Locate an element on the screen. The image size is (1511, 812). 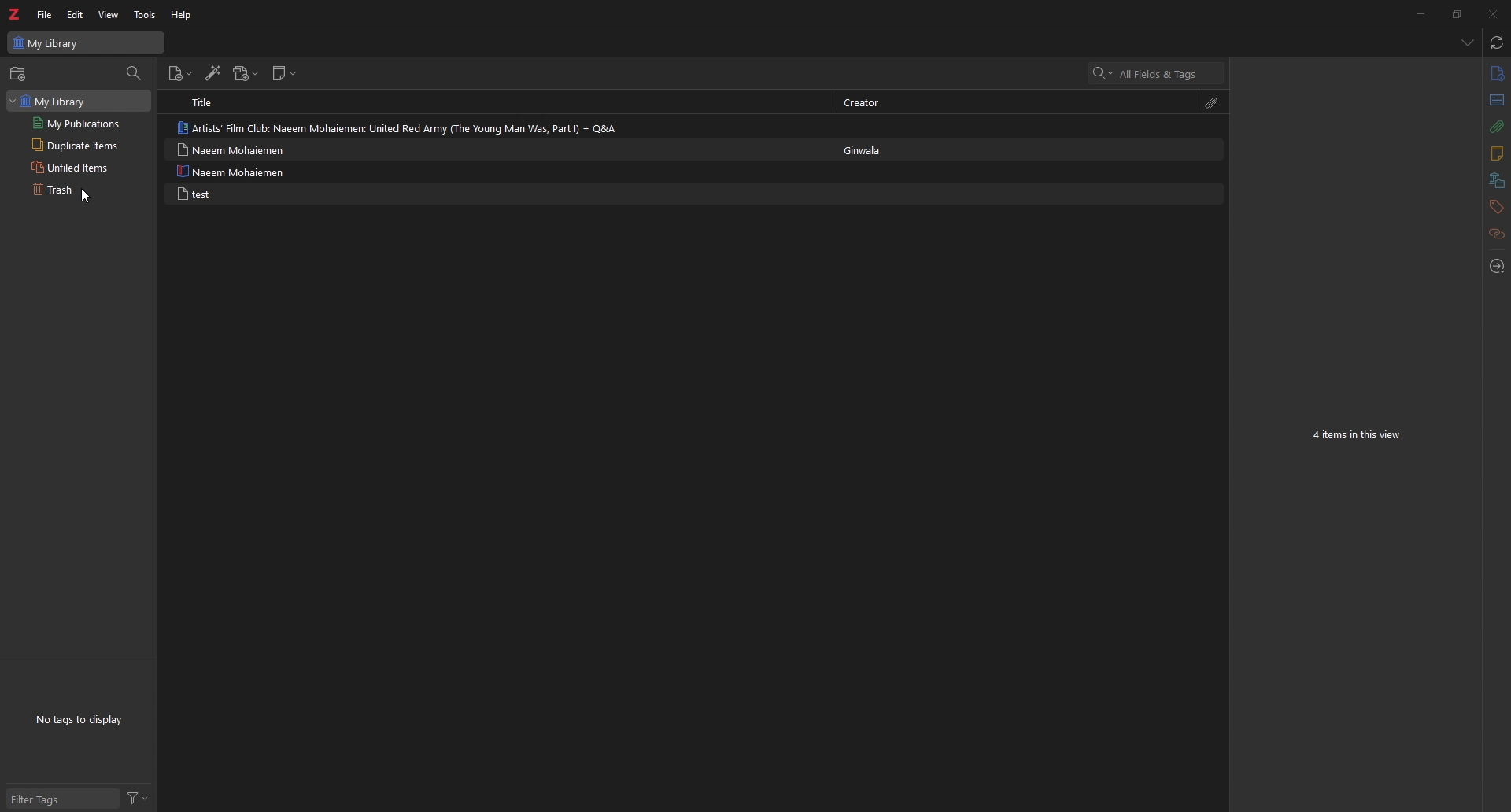
creator is located at coordinates (865, 149).